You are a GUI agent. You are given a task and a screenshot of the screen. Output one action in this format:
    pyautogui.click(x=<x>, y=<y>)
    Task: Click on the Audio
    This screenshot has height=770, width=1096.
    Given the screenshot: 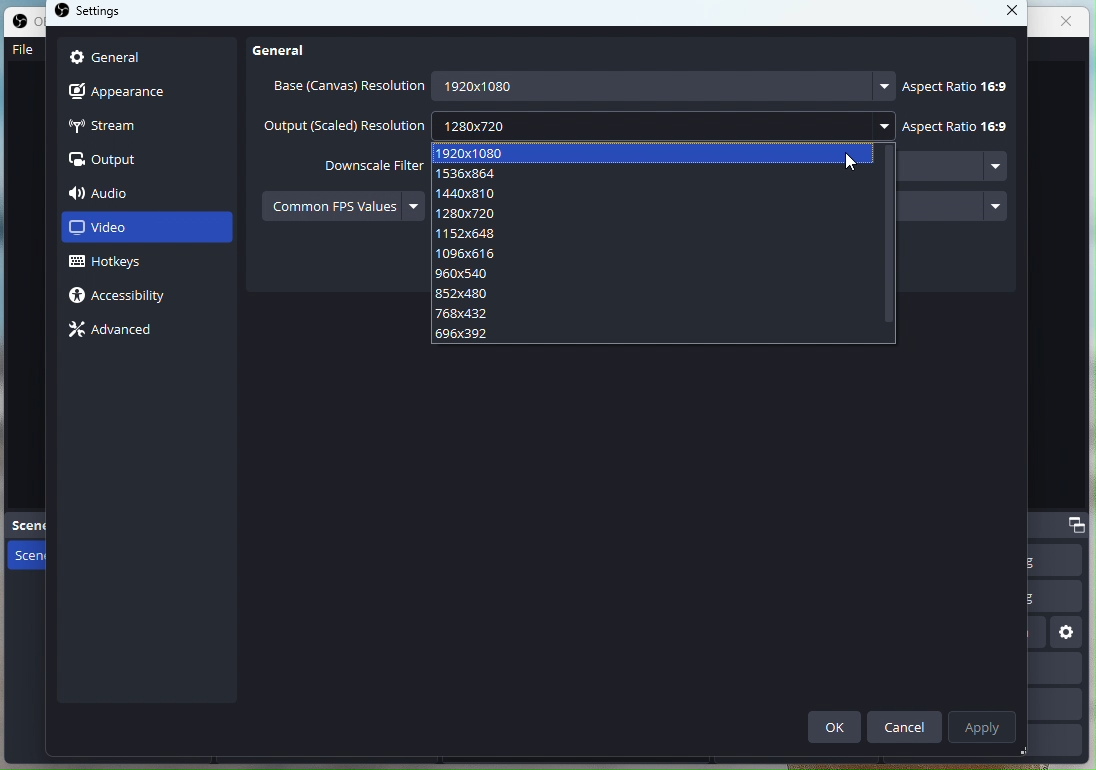 What is the action you would take?
    pyautogui.click(x=132, y=193)
    